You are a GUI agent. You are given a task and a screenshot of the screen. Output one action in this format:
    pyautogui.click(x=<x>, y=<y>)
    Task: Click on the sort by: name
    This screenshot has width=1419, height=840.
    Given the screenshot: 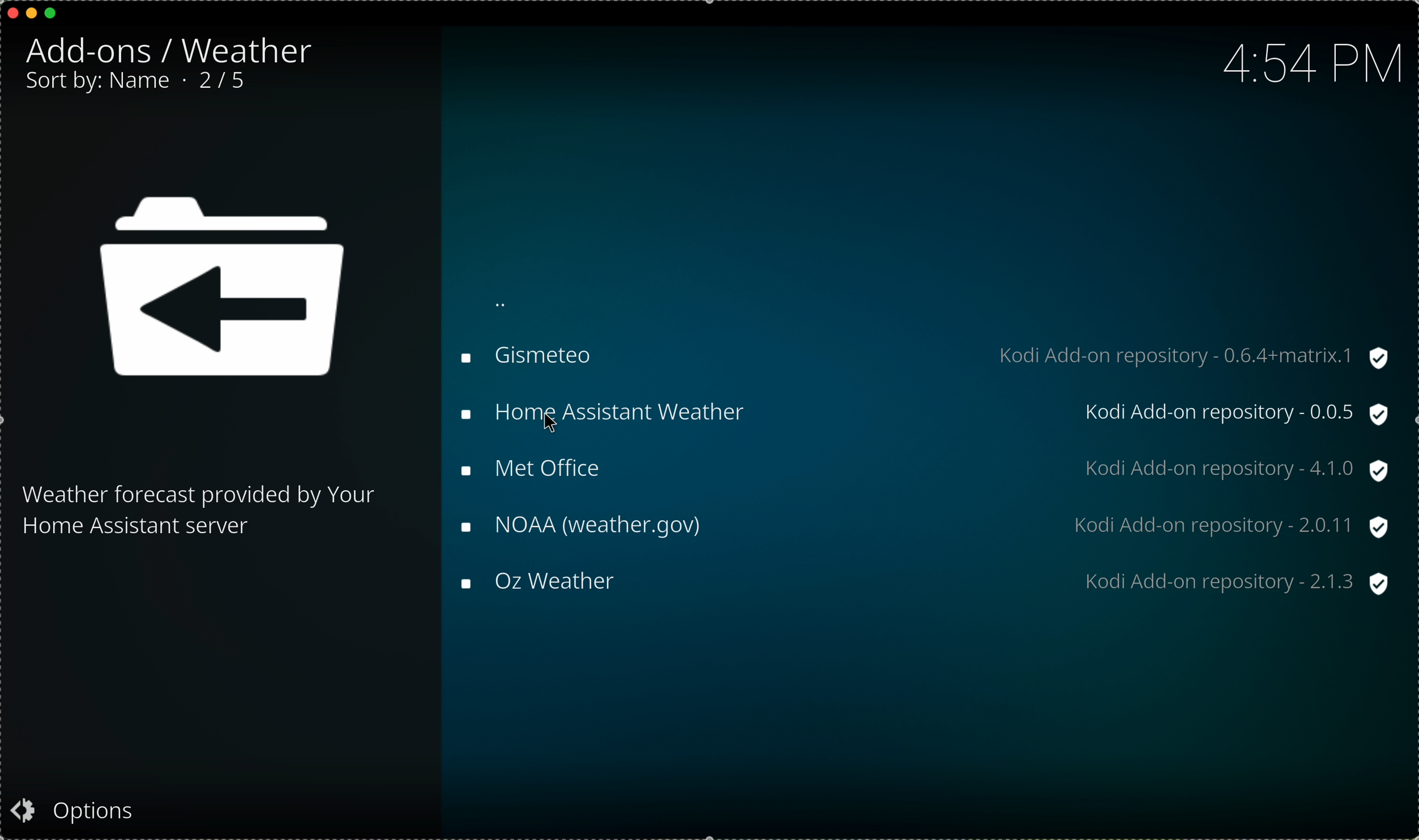 What is the action you would take?
    pyautogui.click(x=99, y=83)
    